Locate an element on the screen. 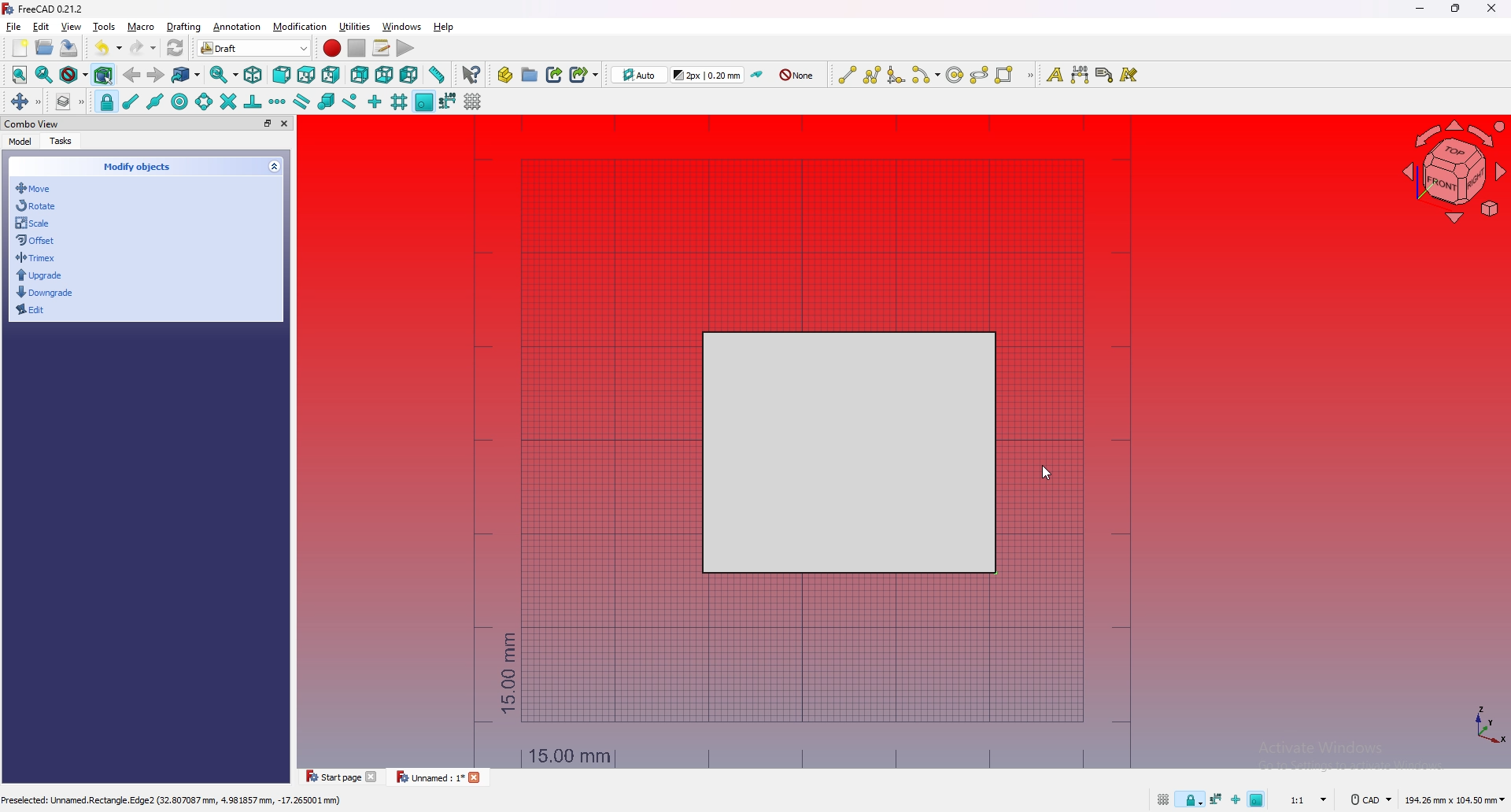  downgrade is located at coordinates (44, 291).